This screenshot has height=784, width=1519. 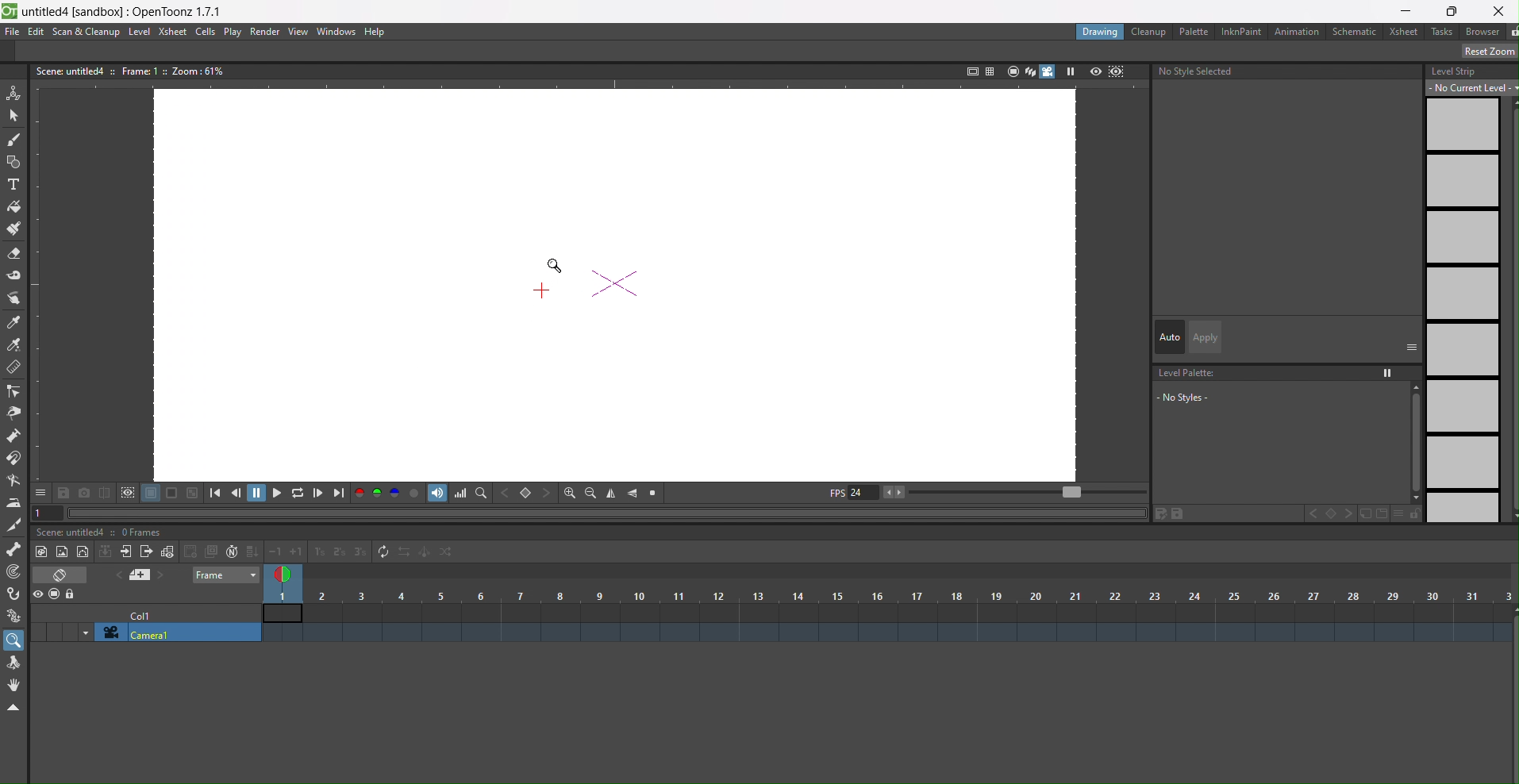 What do you see at coordinates (1484, 33) in the screenshot?
I see `browser` at bounding box center [1484, 33].